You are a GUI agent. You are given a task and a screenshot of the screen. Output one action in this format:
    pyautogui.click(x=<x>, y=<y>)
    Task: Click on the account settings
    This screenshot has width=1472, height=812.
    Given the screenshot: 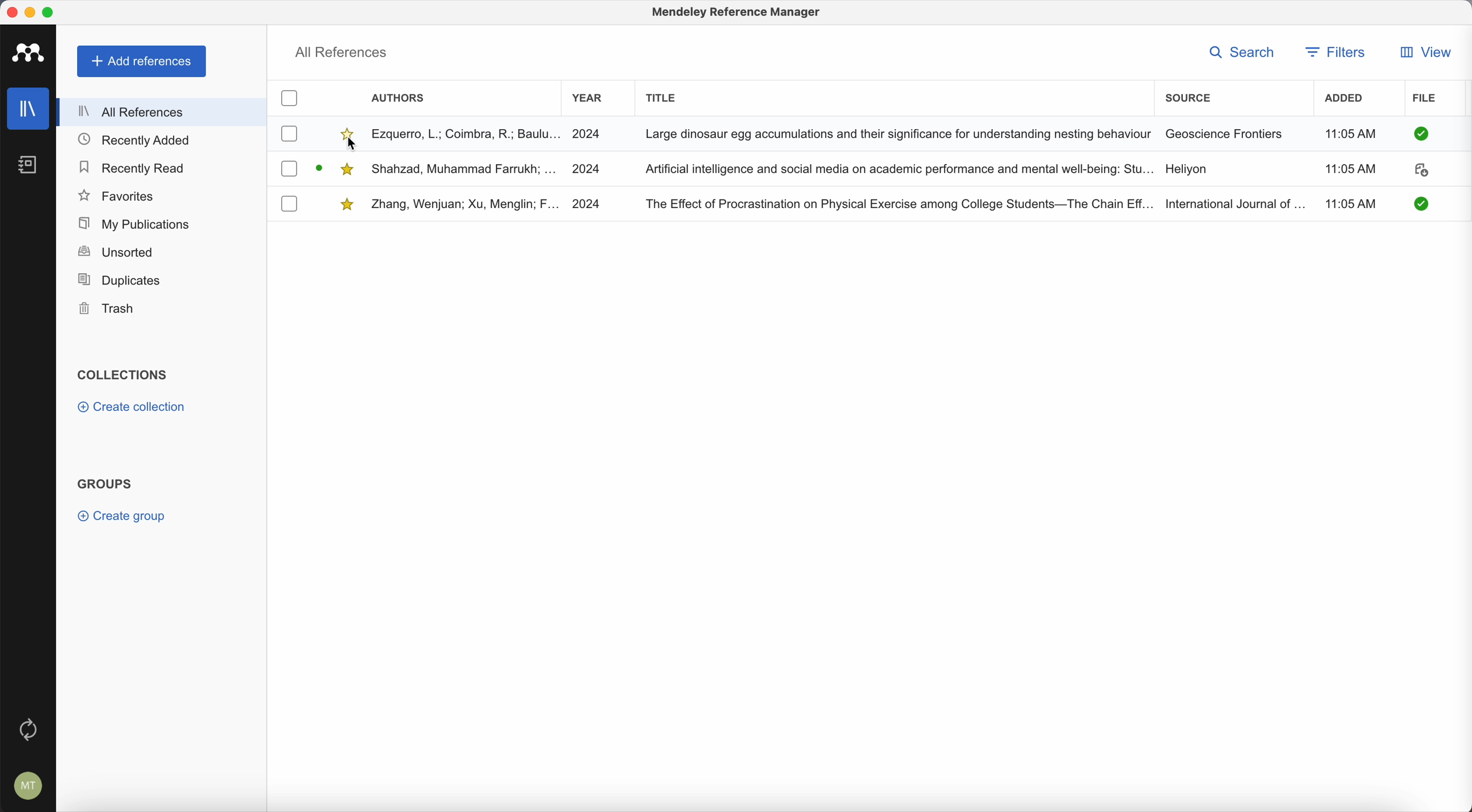 What is the action you would take?
    pyautogui.click(x=26, y=783)
    